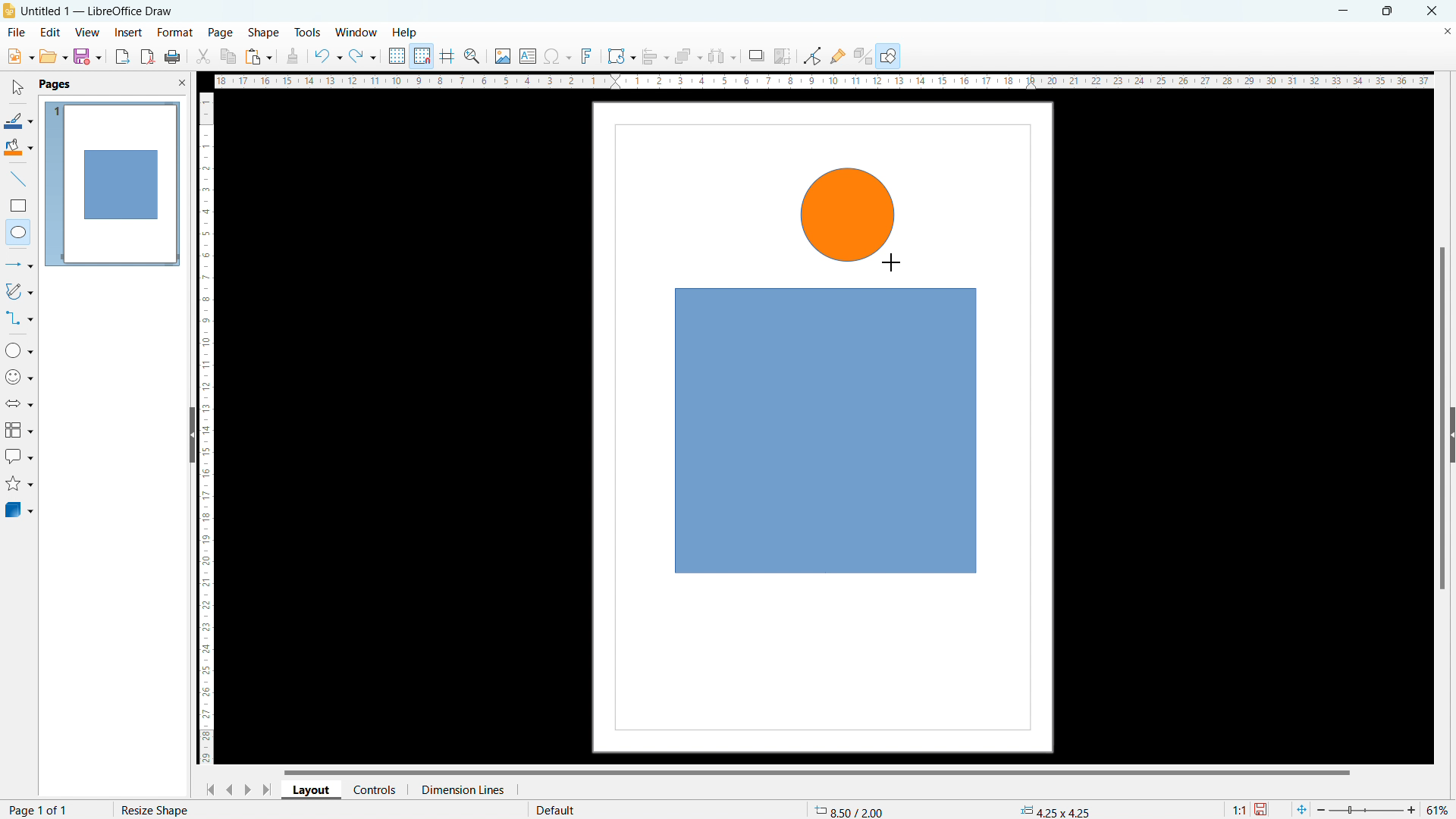 This screenshot has width=1456, height=819. Describe the element at coordinates (19, 290) in the screenshot. I see `curves and polygonas` at that location.